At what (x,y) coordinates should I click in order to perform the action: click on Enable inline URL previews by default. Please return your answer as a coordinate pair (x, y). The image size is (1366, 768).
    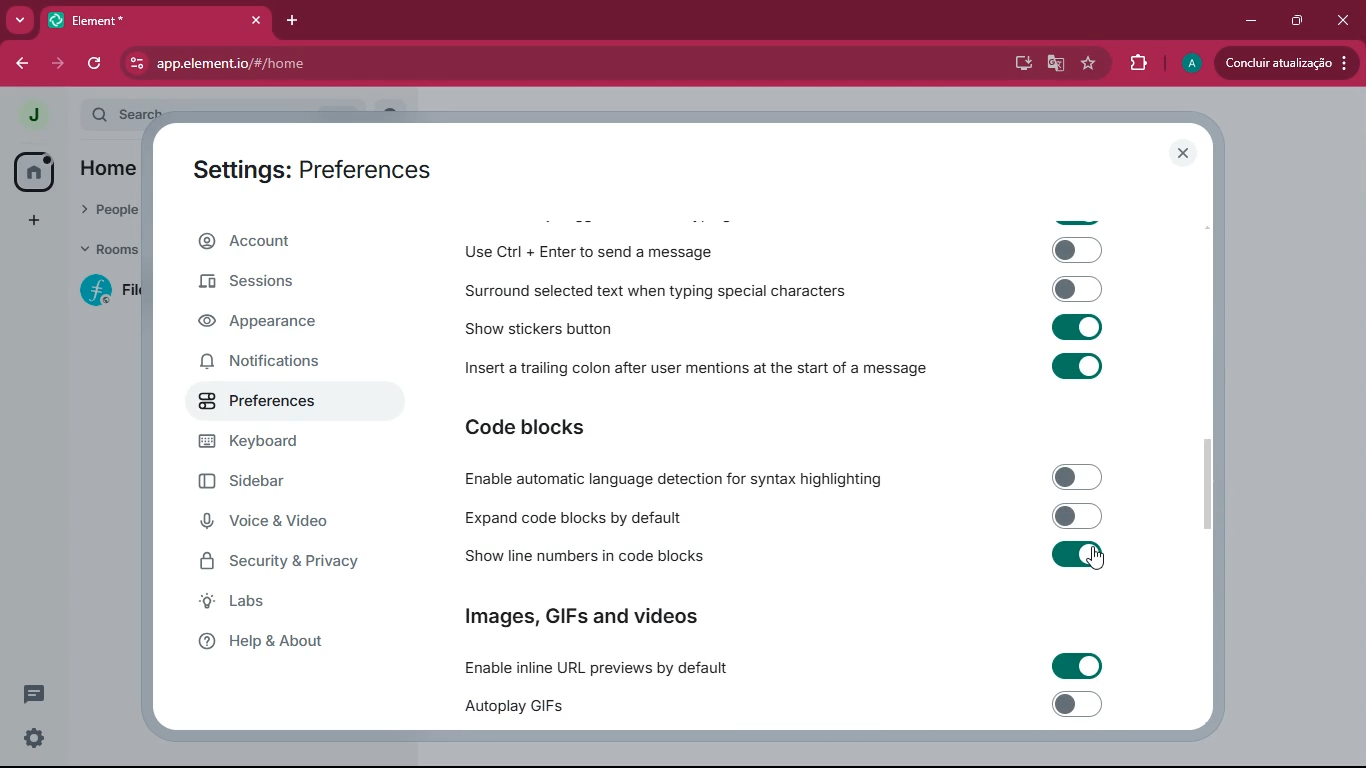
    Looking at the image, I should click on (781, 667).